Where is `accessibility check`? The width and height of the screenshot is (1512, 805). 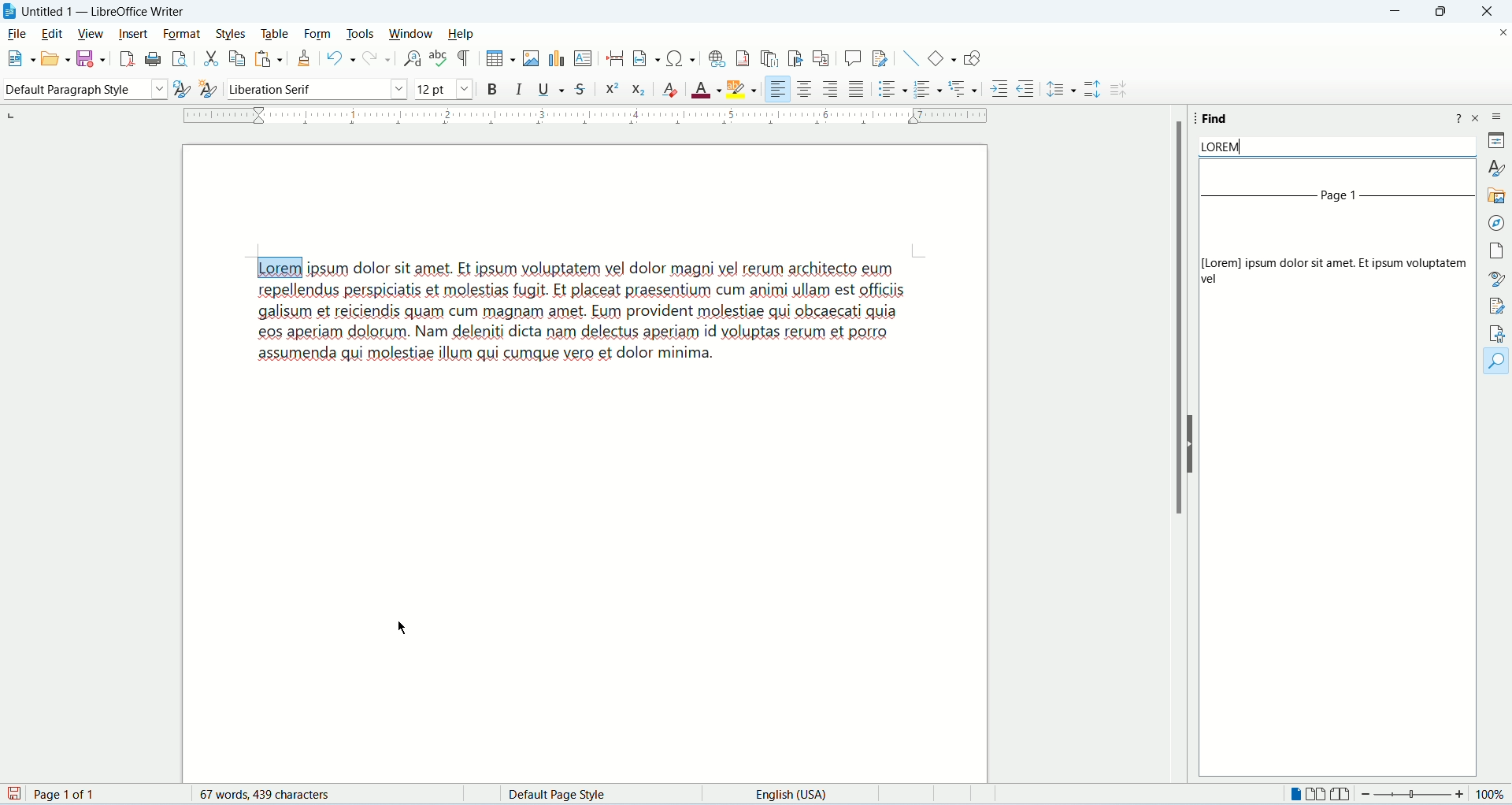 accessibility check is located at coordinates (1498, 333).